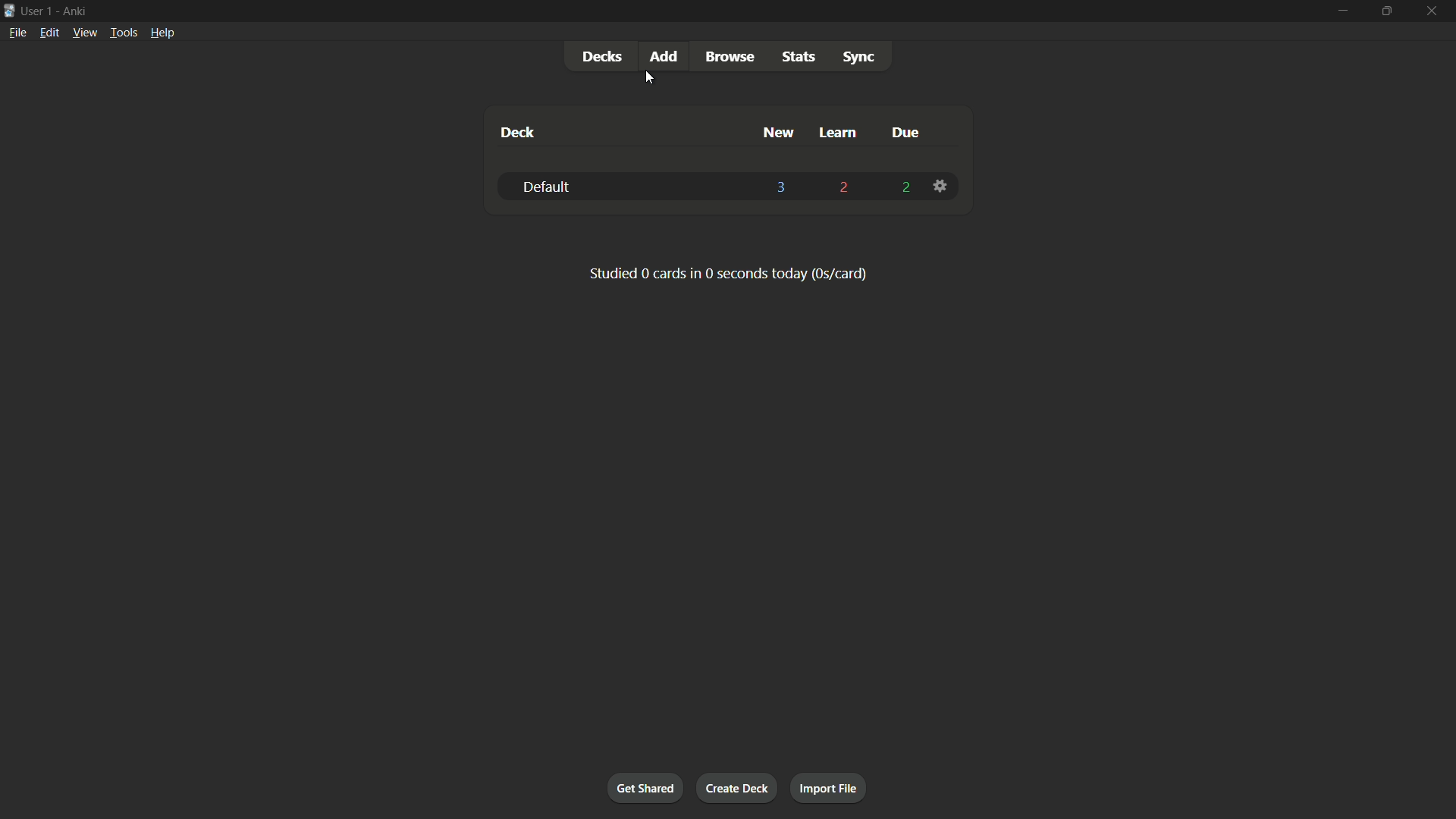  Describe the element at coordinates (907, 188) in the screenshot. I see `2` at that location.